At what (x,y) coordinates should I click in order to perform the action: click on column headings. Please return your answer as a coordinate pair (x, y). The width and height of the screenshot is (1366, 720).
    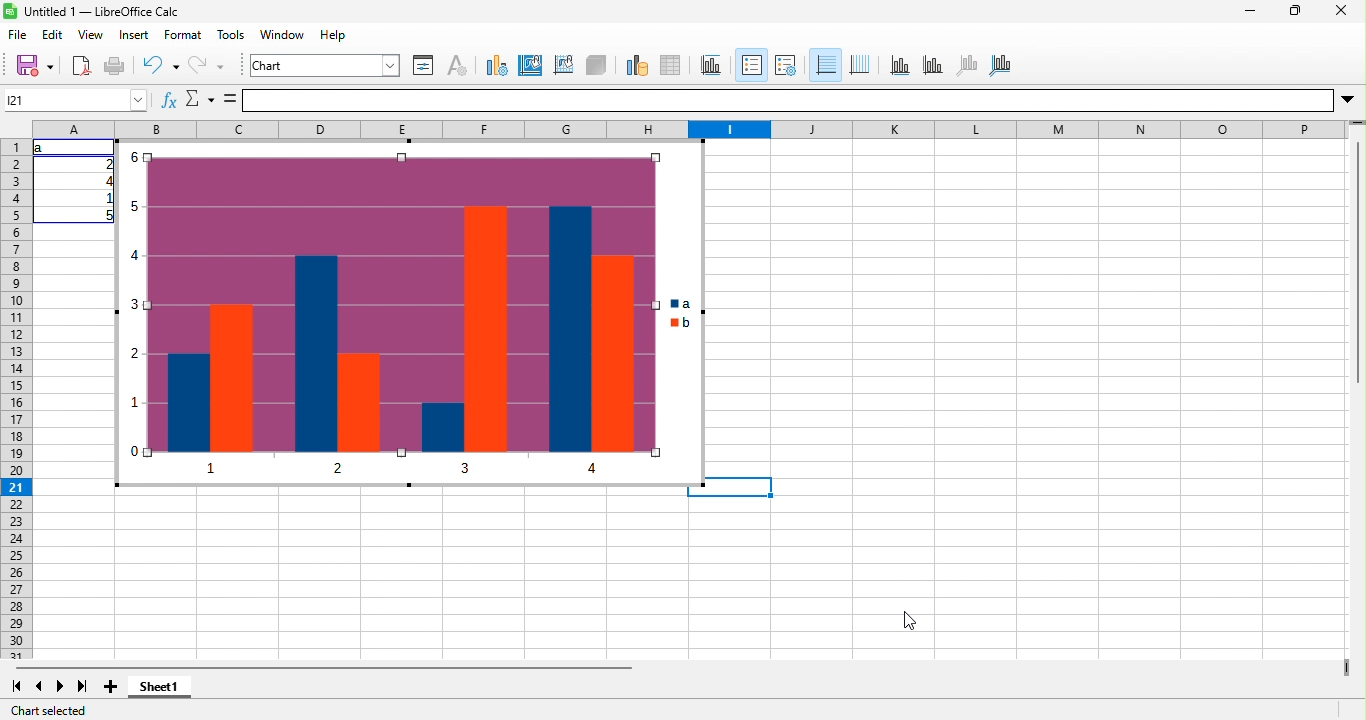
    Looking at the image, I should click on (691, 129).